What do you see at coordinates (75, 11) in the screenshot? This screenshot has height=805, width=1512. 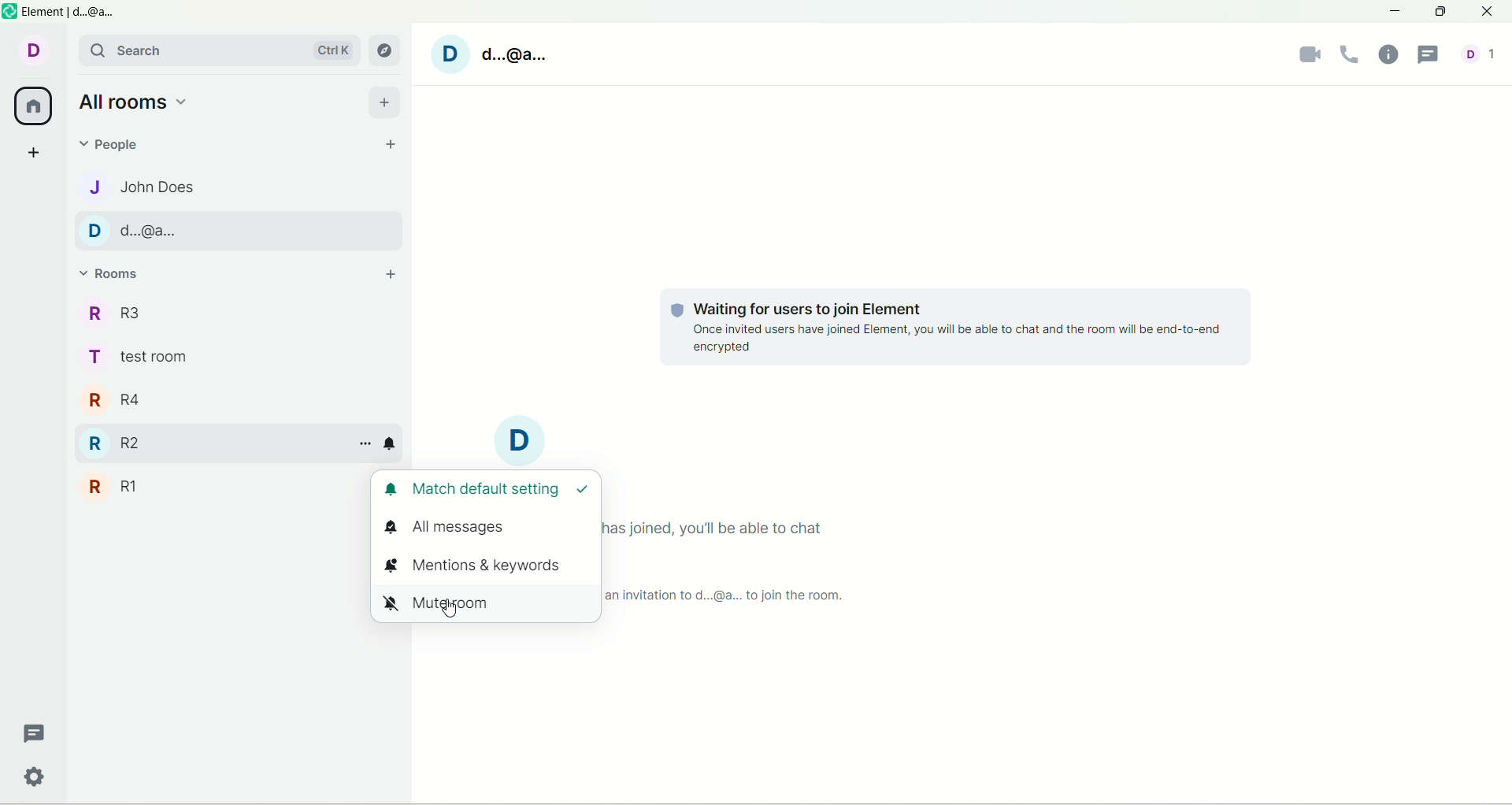 I see `element` at bounding box center [75, 11].